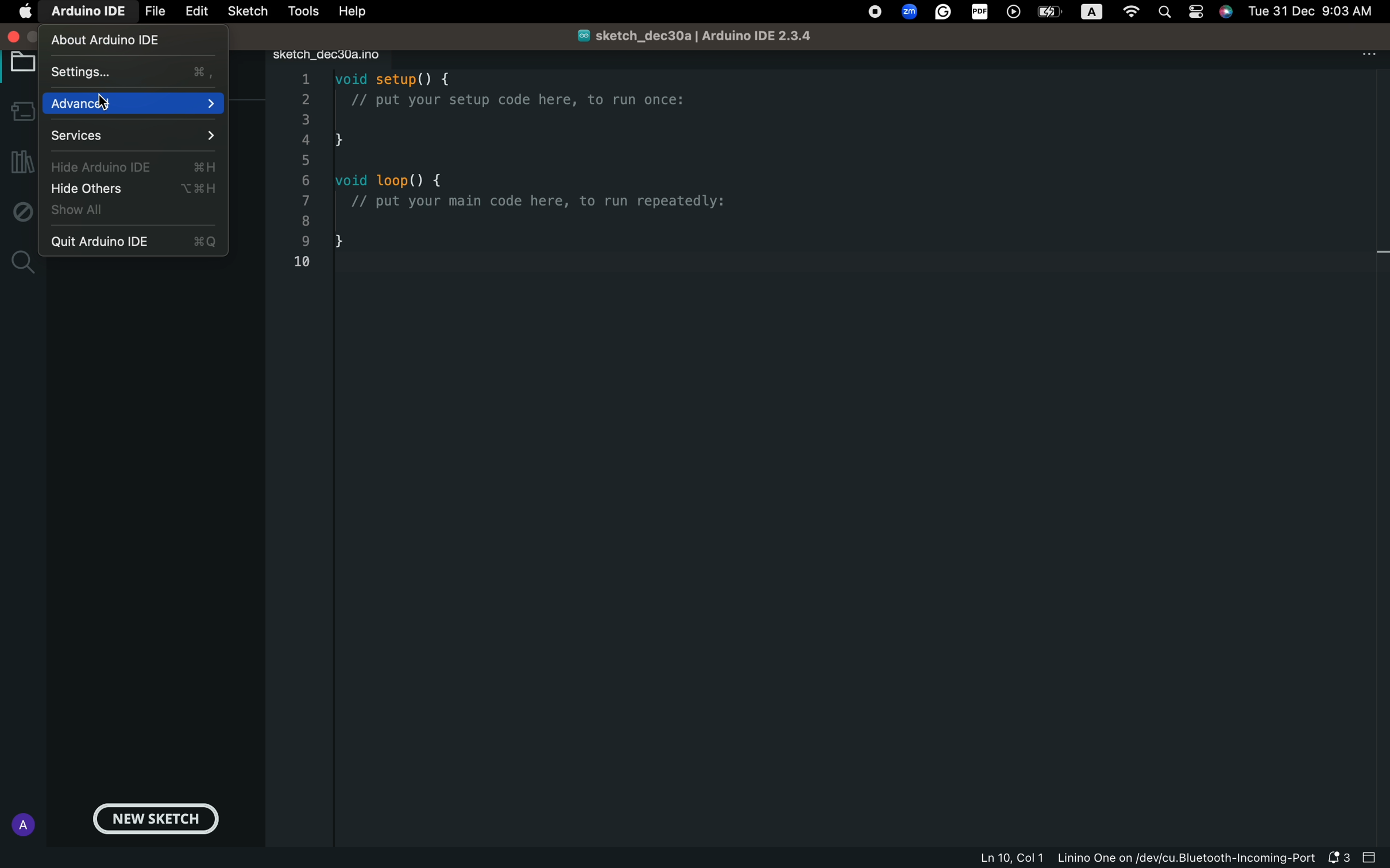  What do you see at coordinates (677, 34) in the screenshot?
I see `file name` at bounding box center [677, 34].